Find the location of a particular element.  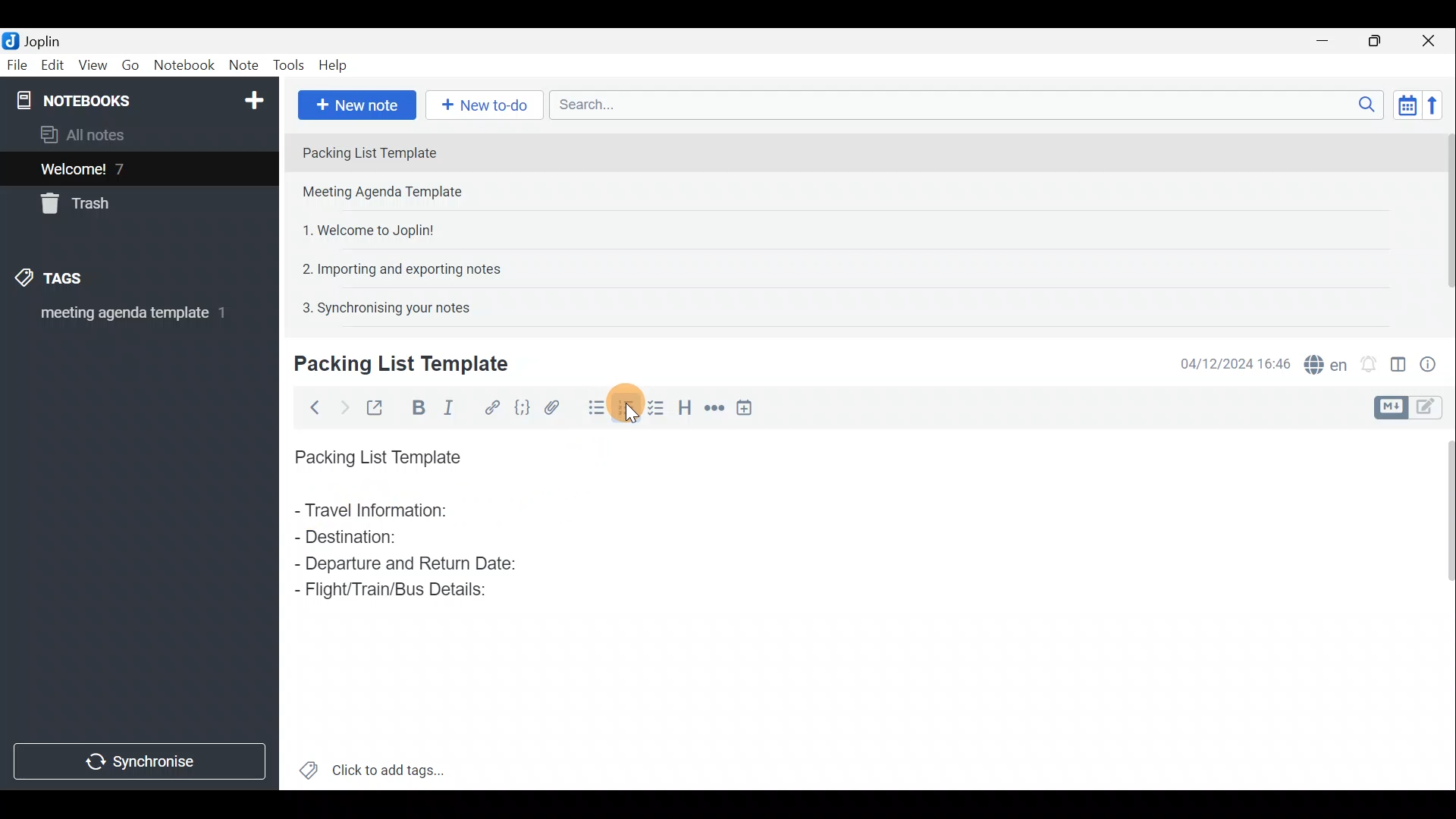

Scroll bar is located at coordinates (1442, 607).